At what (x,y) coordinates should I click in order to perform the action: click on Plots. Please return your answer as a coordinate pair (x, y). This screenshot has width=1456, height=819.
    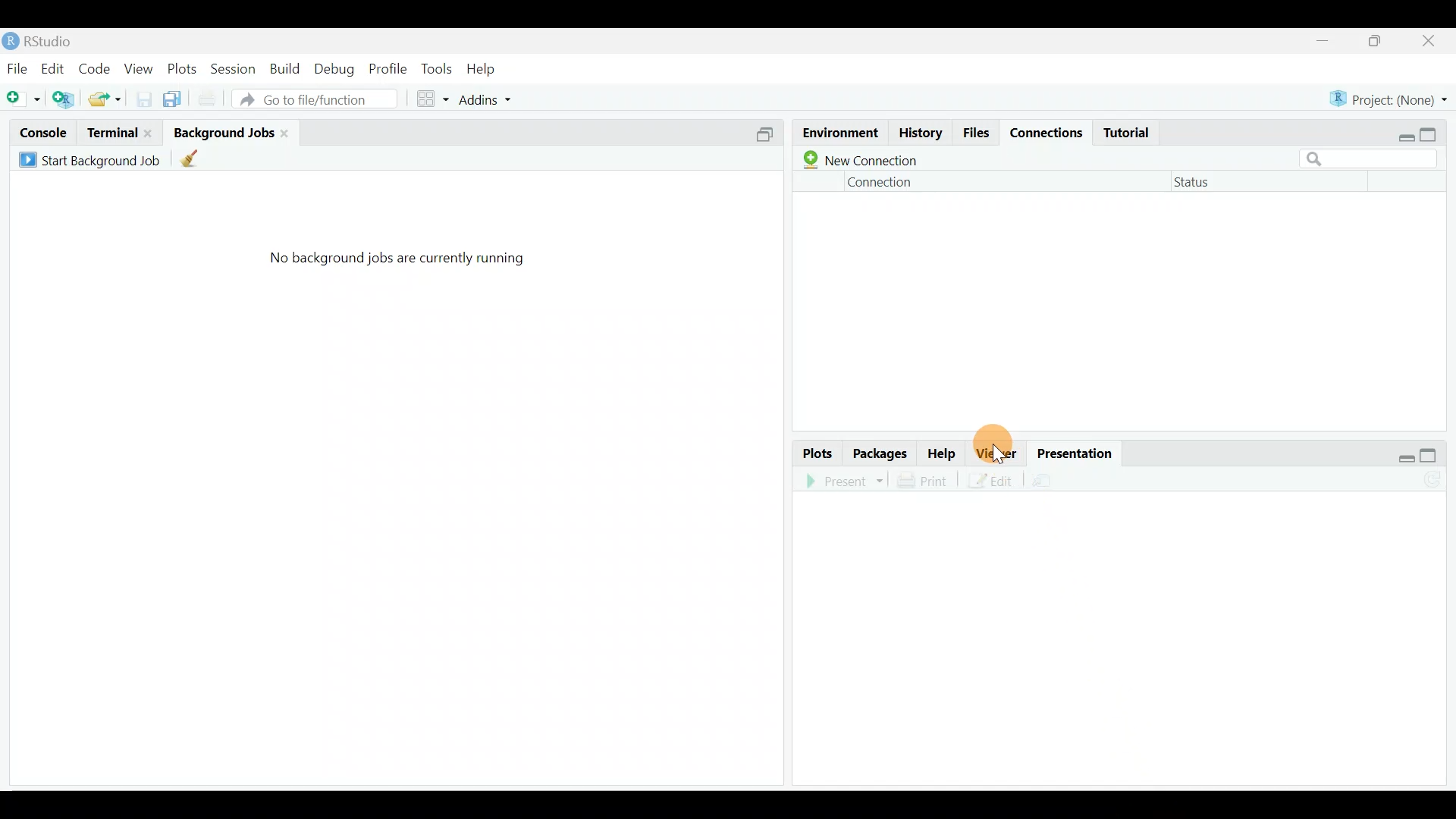
    Looking at the image, I should click on (181, 67).